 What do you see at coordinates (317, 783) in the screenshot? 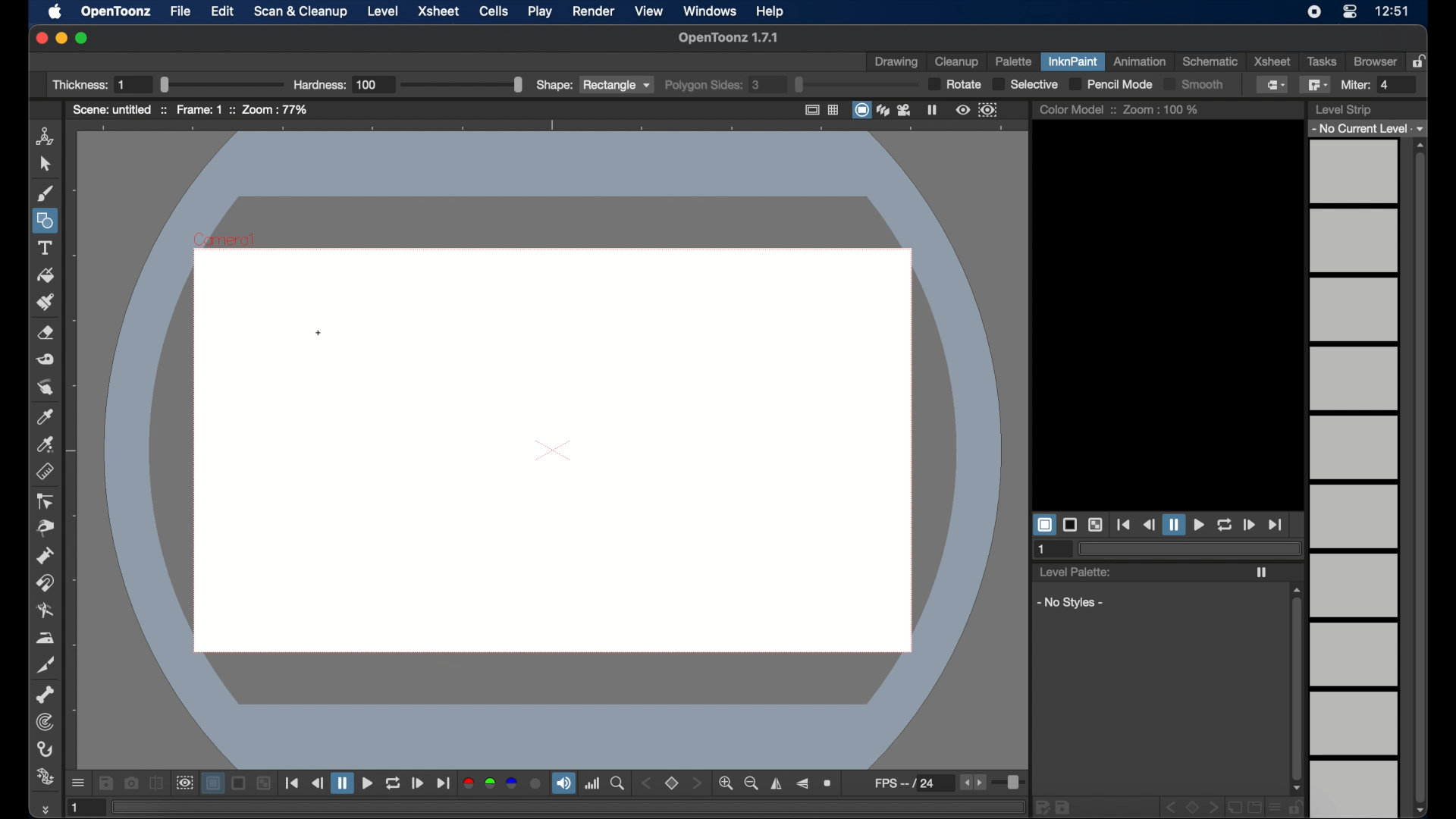
I see `rewind` at bounding box center [317, 783].